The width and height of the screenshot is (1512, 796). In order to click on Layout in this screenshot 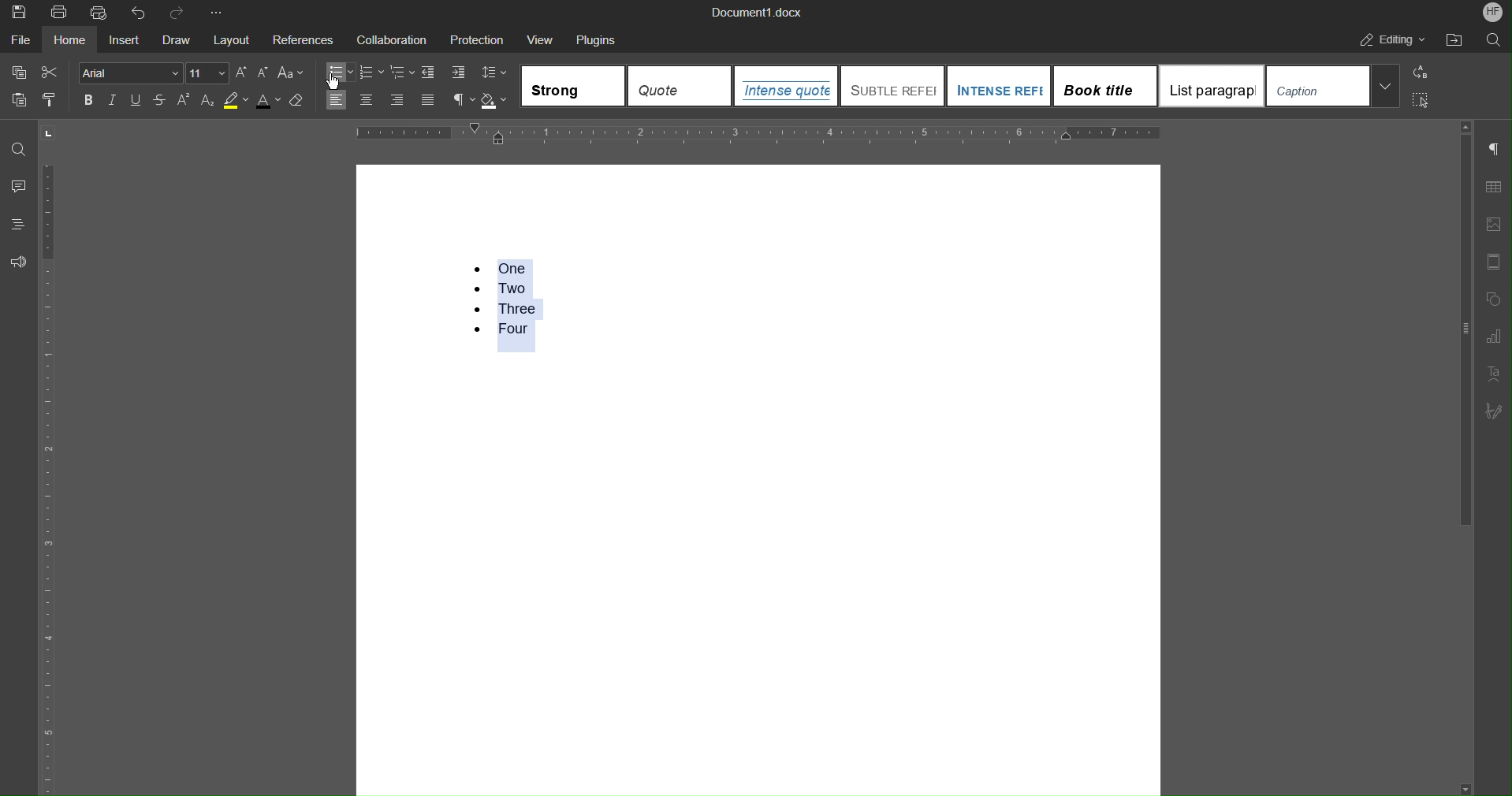, I will do `click(232, 36)`.